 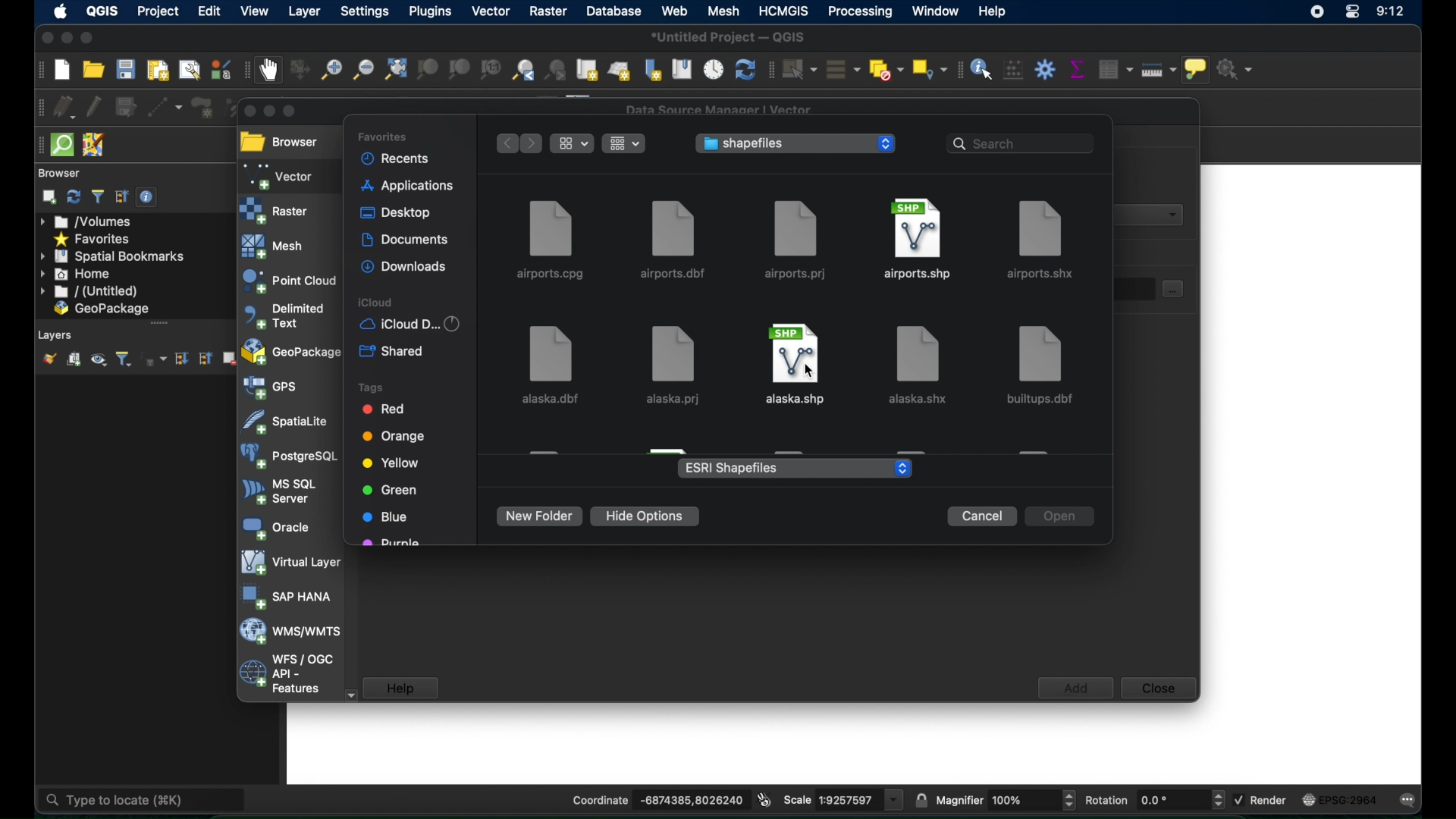 What do you see at coordinates (430, 11) in the screenshot?
I see `plugins` at bounding box center [430, 11].